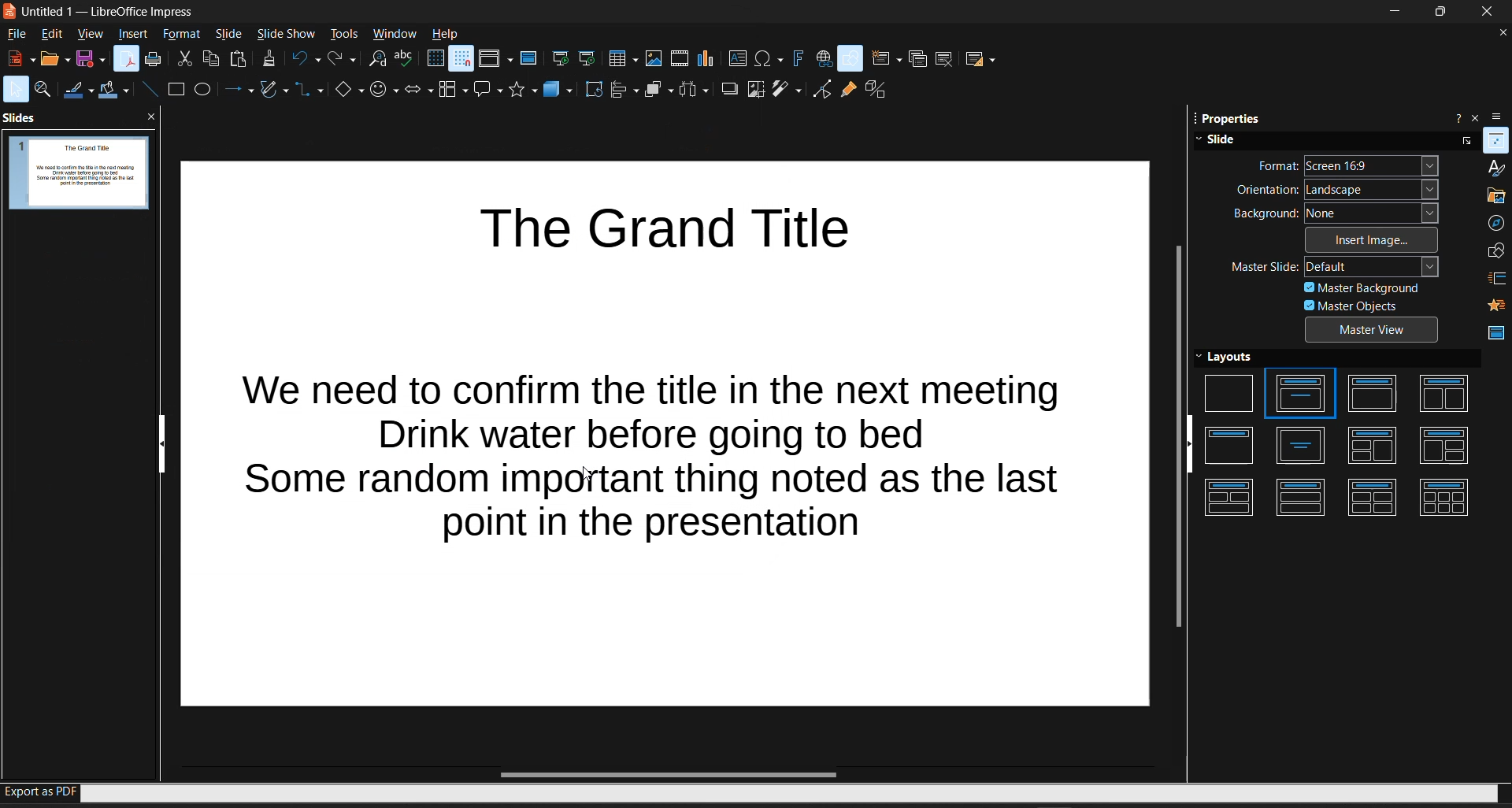  What do you see at coordinates (344, 34) in the screenshot?
I see `tools` at bounding box center [344, 34].